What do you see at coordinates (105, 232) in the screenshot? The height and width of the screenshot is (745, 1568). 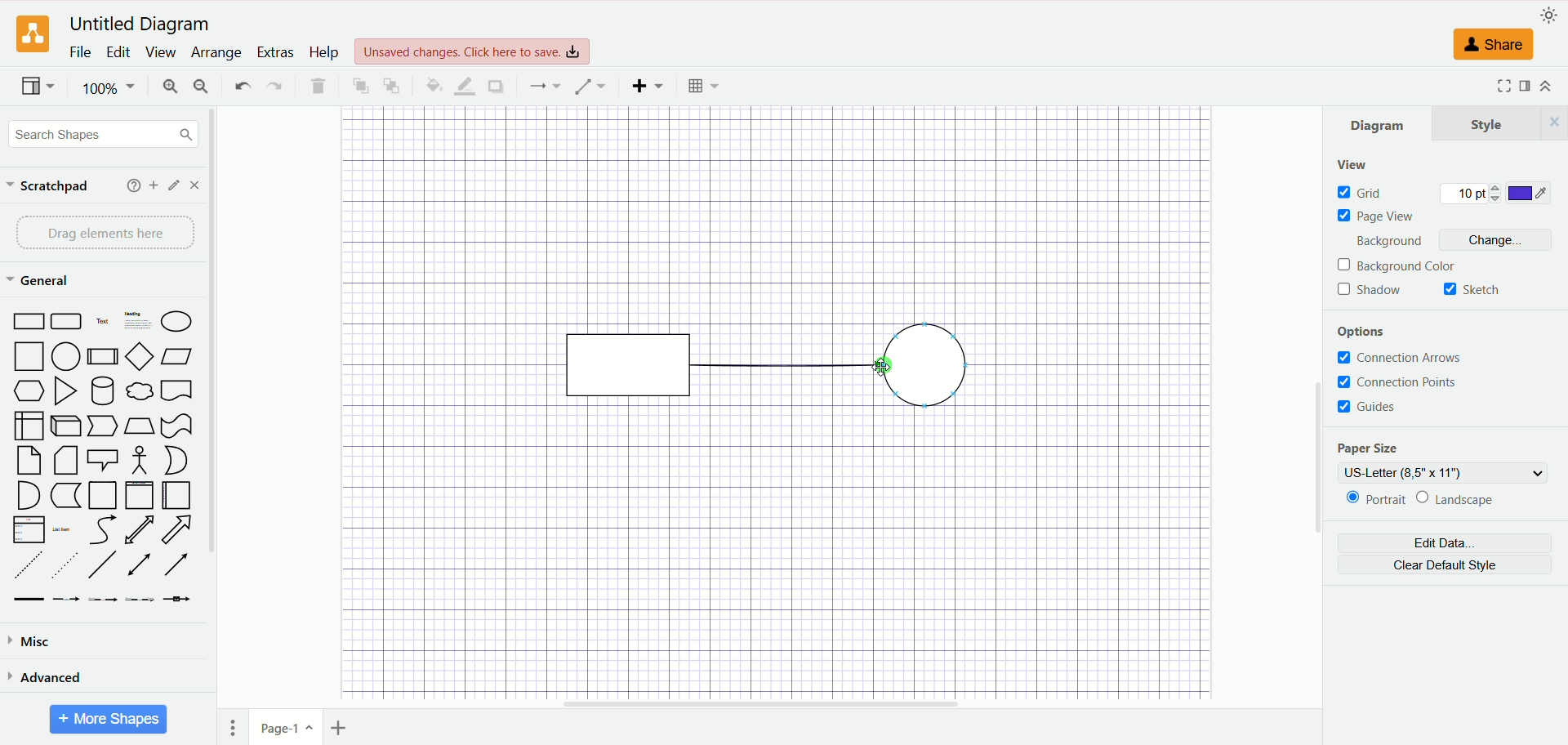 I see `drag elements here` at bounding box center [105, 232].